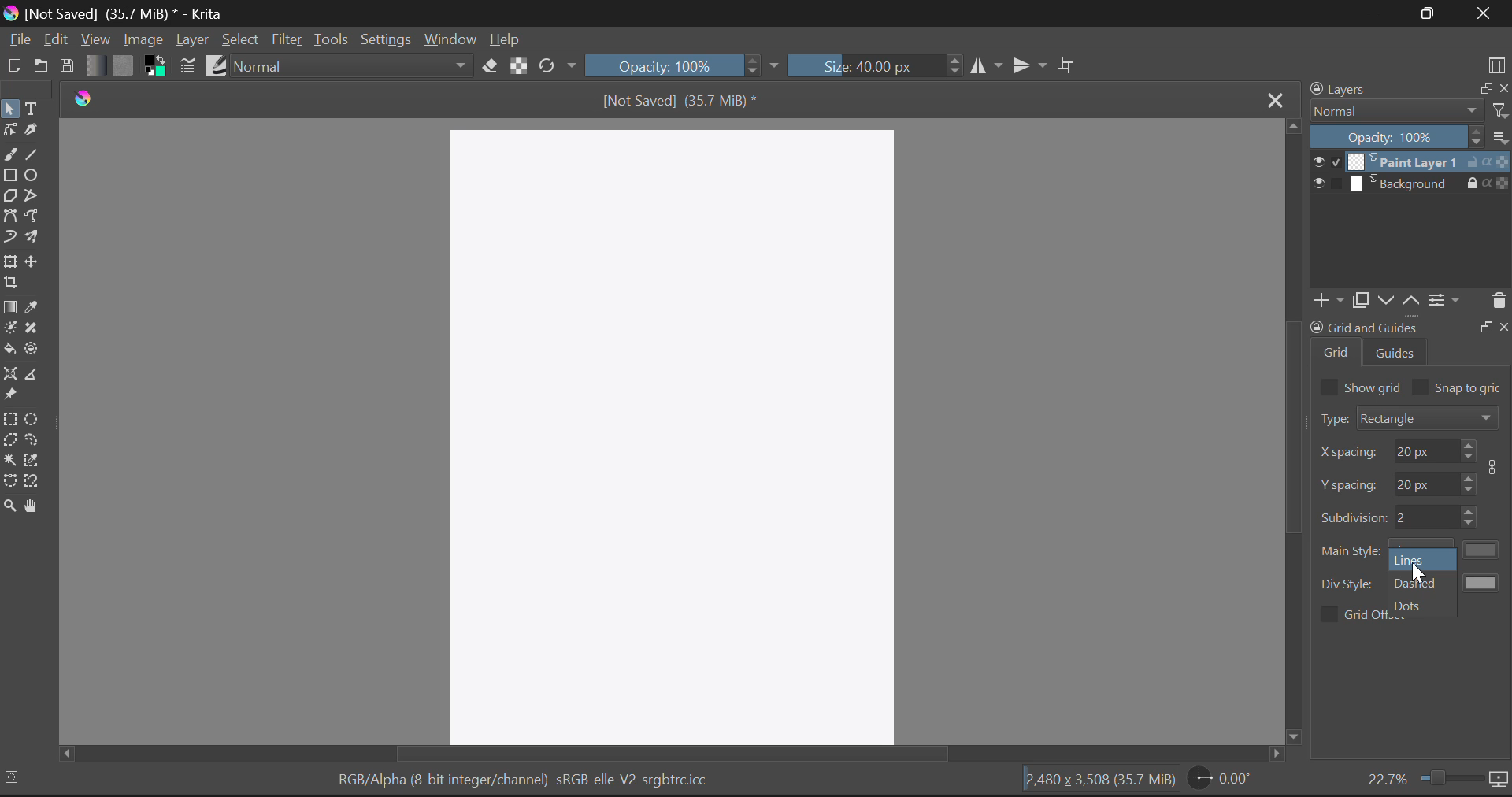 Image resolution: width=1512 pixels, height=797 pixels. What do you see at coordinates (115, 13) in the screenshot?
I see `[Not Saved] (35.7 MiB) * - Krita` at bounding box center [115, 13].